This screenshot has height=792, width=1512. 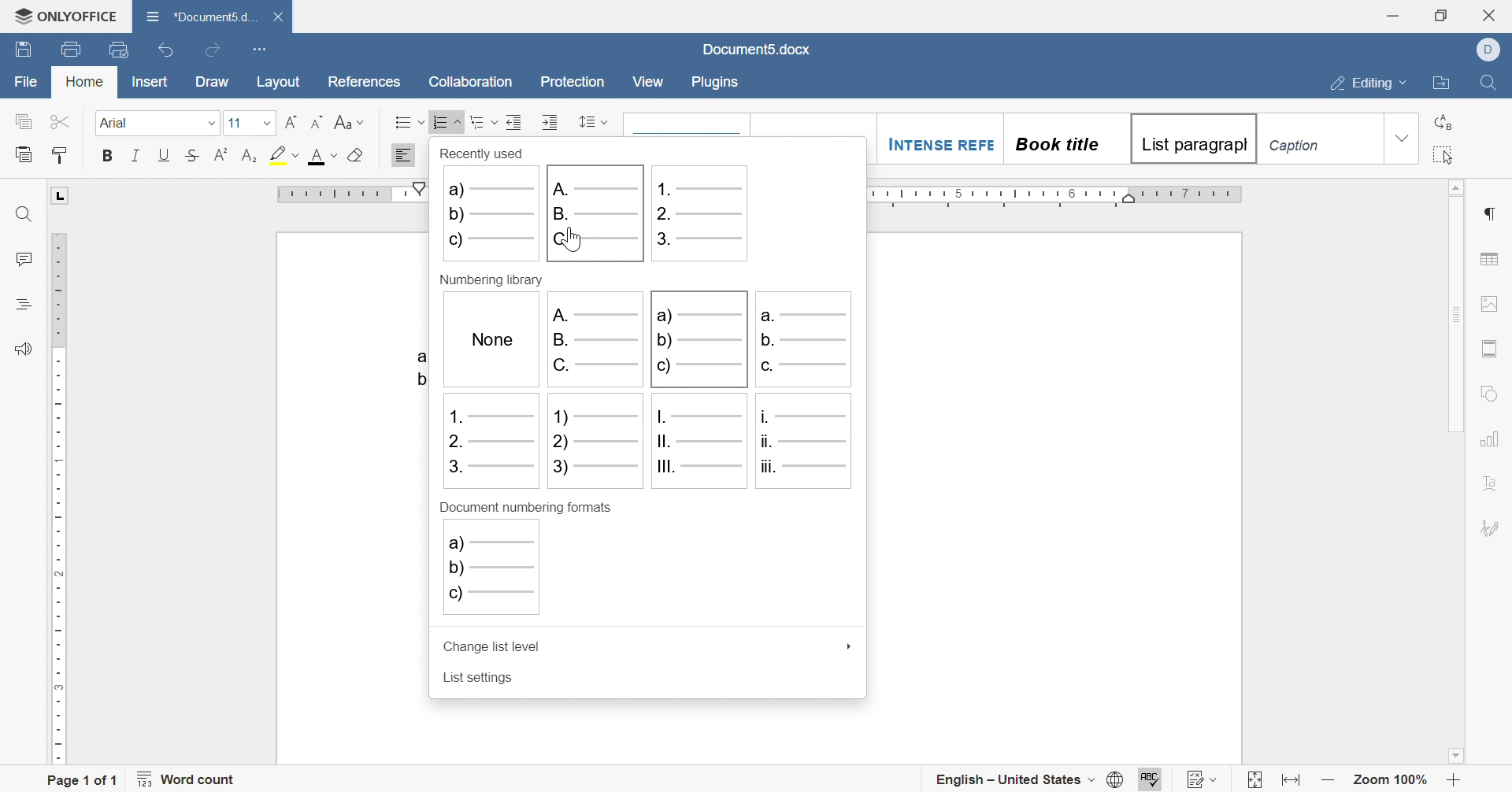 What do you see at coordinates (1492, 304) in the screenshot?
I see `image settings` at bounding box center [1492, 304].